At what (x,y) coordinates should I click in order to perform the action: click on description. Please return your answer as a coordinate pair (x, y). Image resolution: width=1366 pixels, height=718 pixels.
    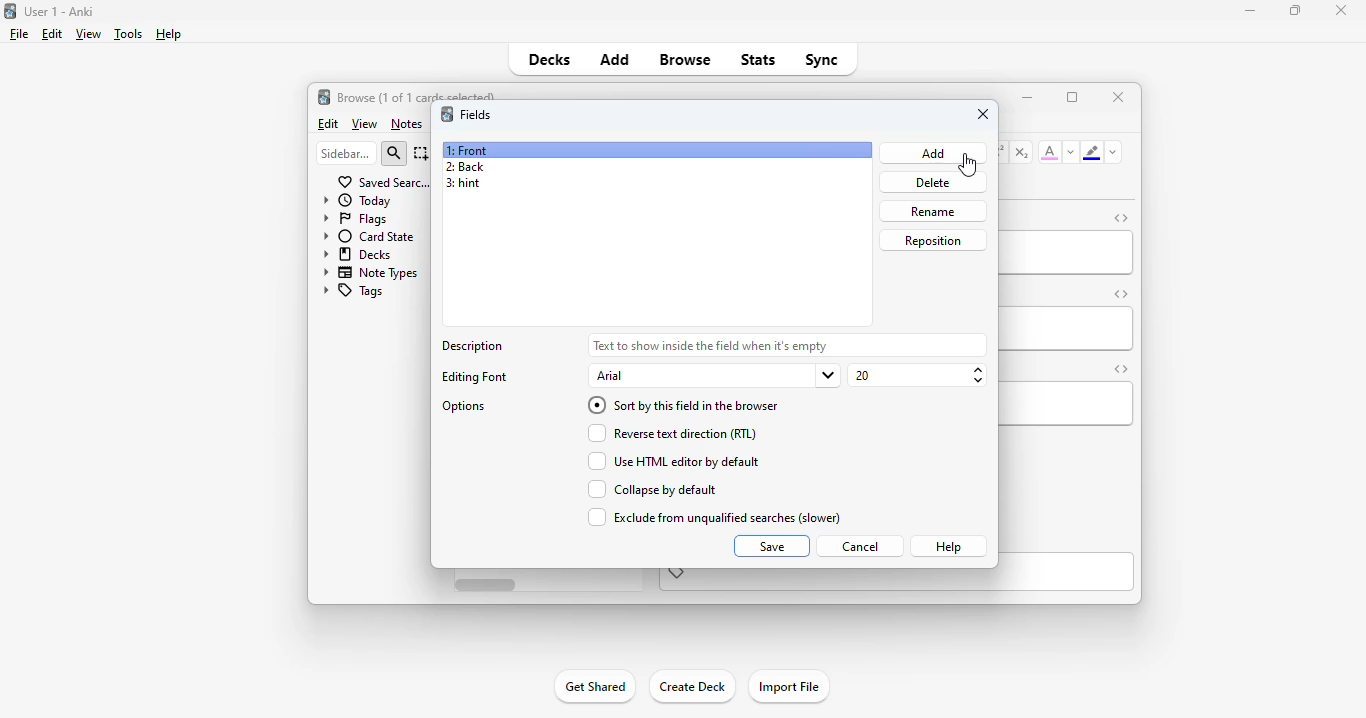
    Looking at the image, I should click on (710, 344).